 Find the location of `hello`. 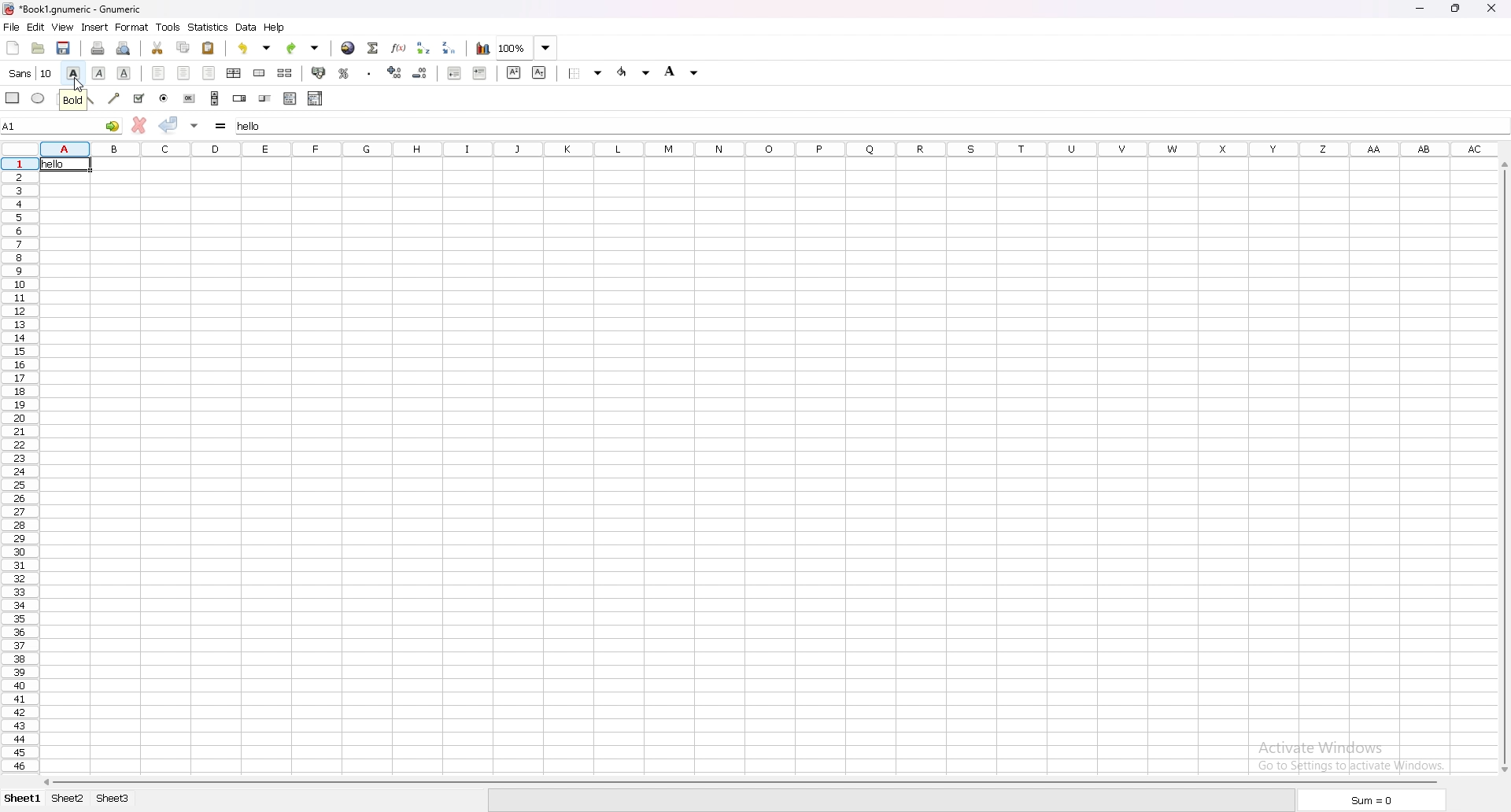

hello is located at coordinates (256, 127).